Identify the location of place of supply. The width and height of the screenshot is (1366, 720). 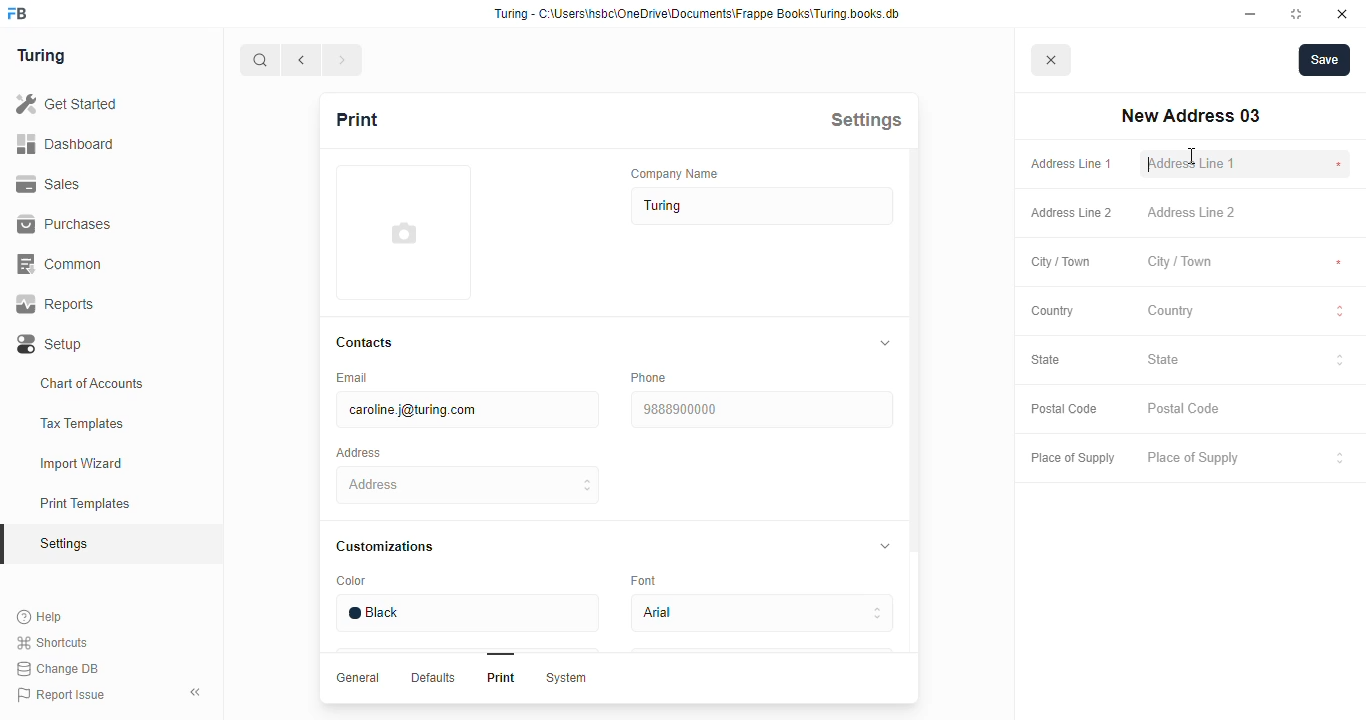
(1072, 459).